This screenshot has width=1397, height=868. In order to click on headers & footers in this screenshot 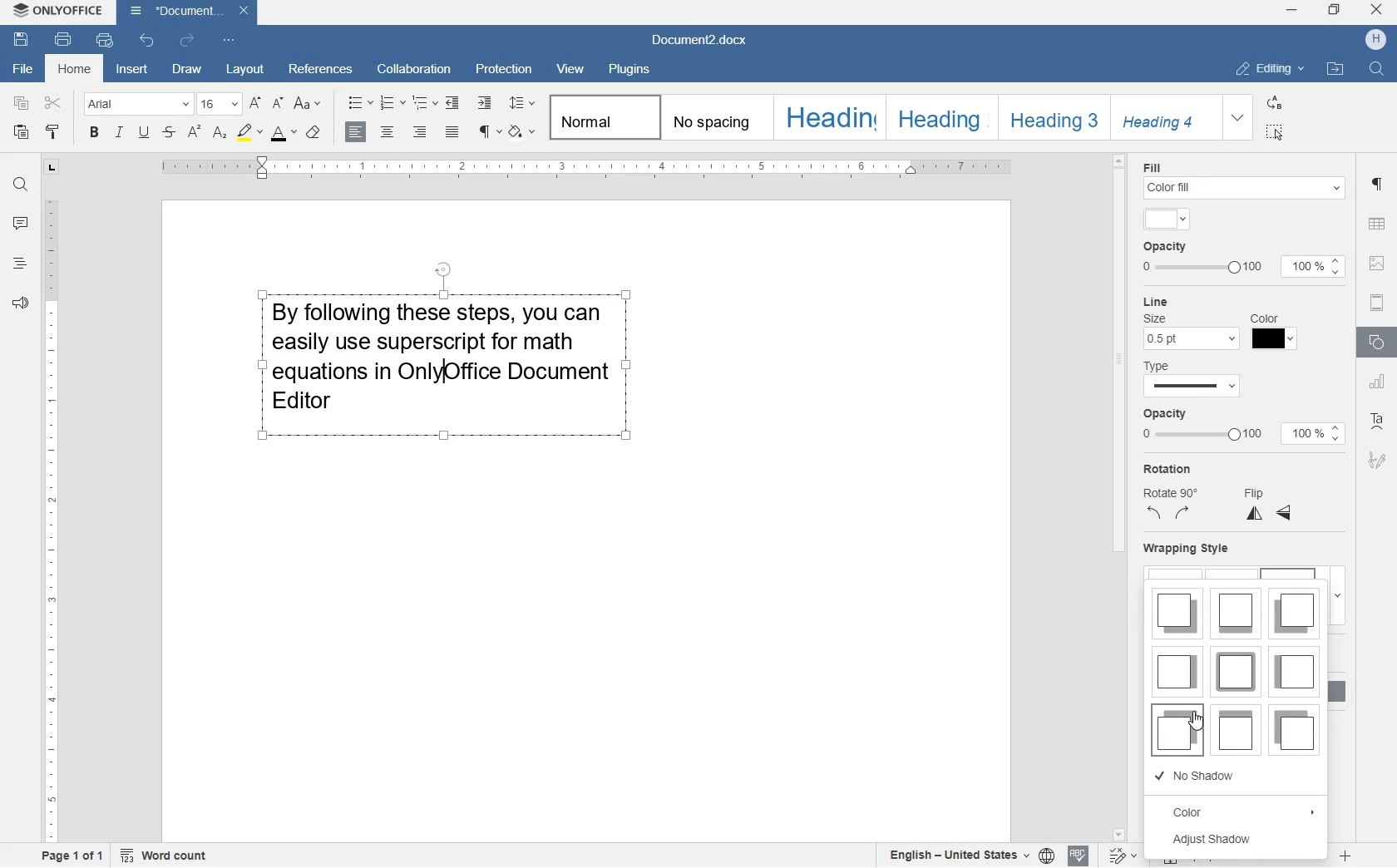, I will do `click(1377, 305)`.